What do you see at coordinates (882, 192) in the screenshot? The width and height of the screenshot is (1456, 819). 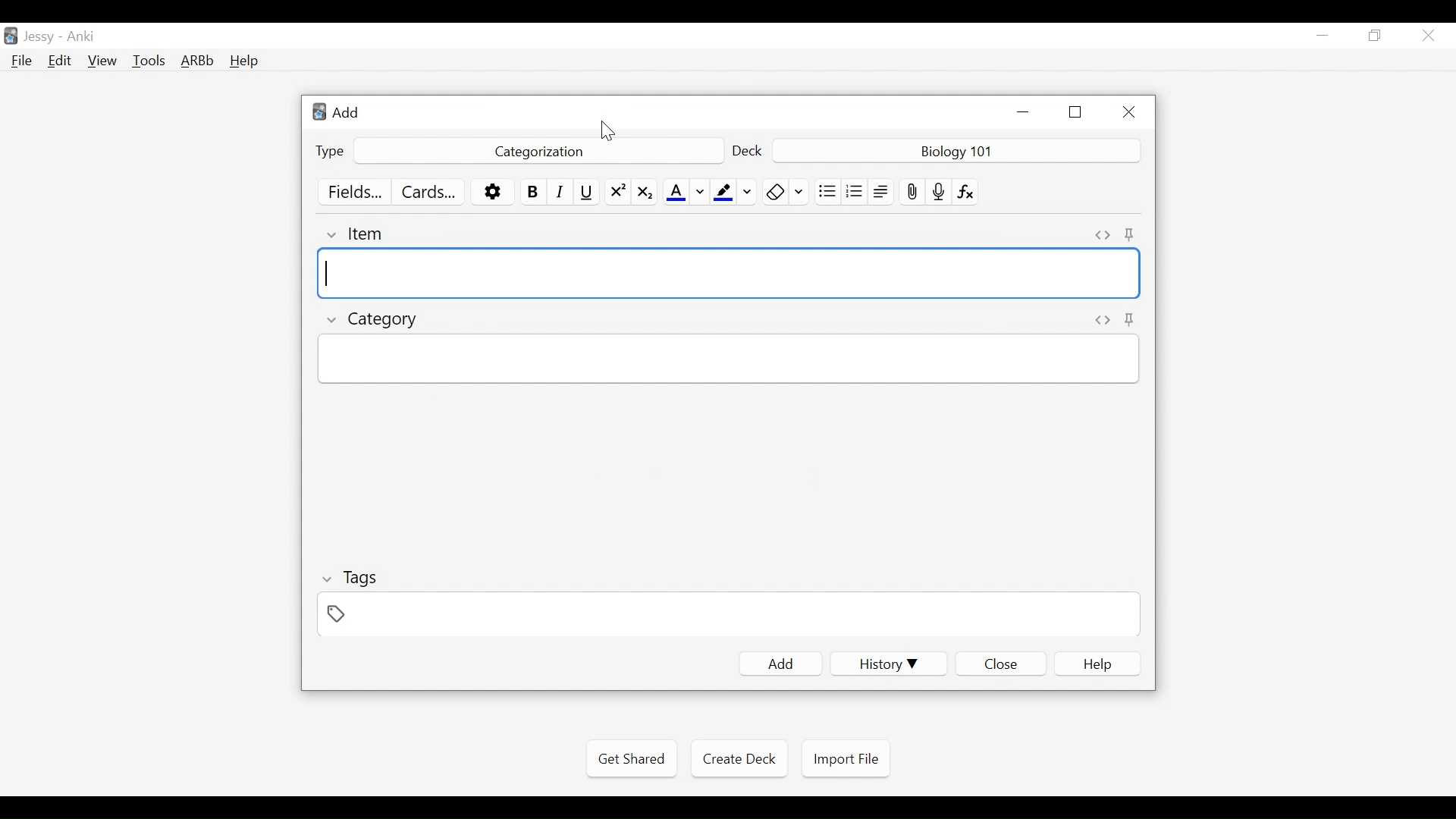 I see `Alignment` at bounding box center [882, 192].